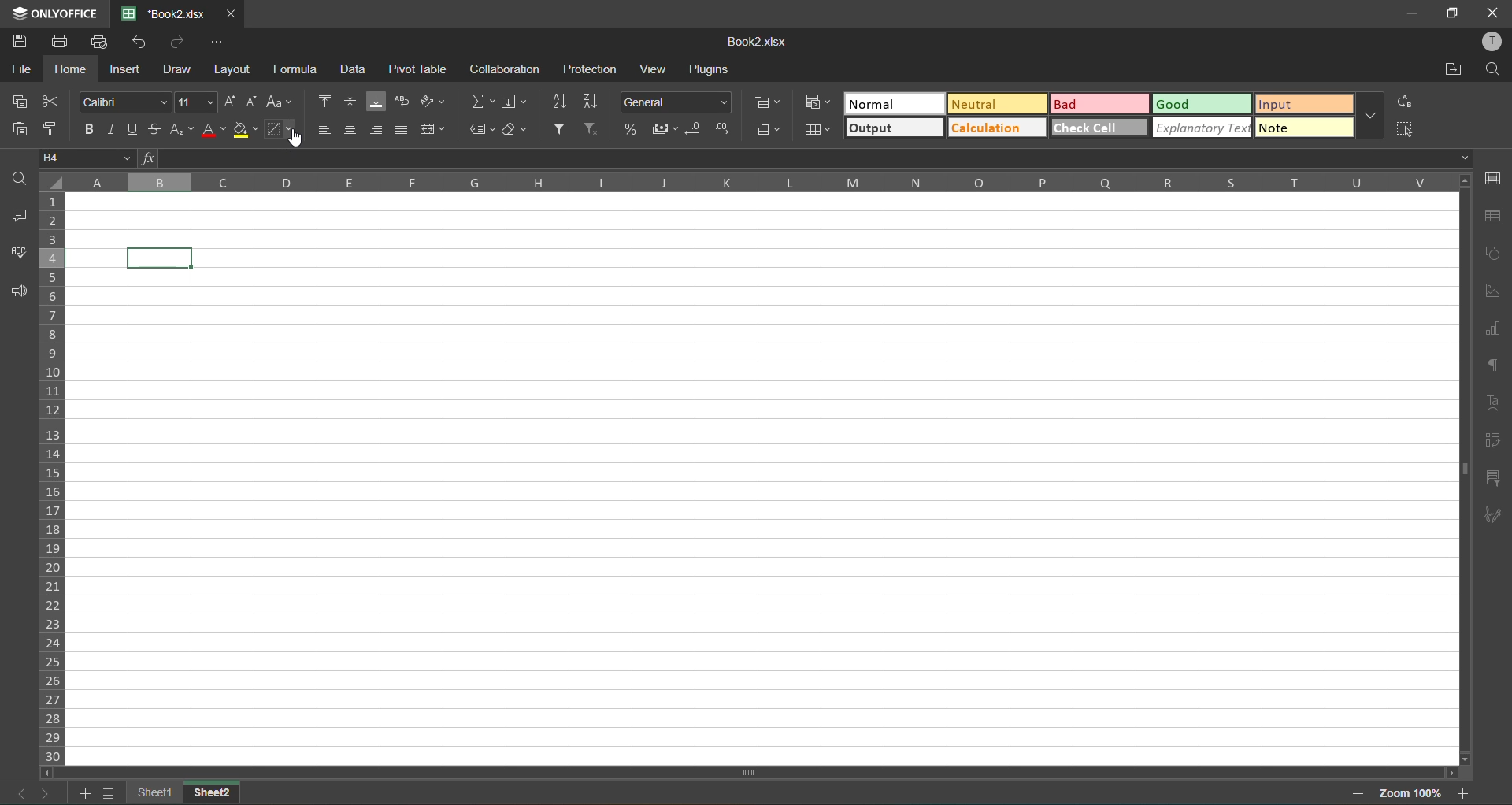  Describe the element at coordinates (1463, 793) in the screenshot. I see `zoom in` at that location.